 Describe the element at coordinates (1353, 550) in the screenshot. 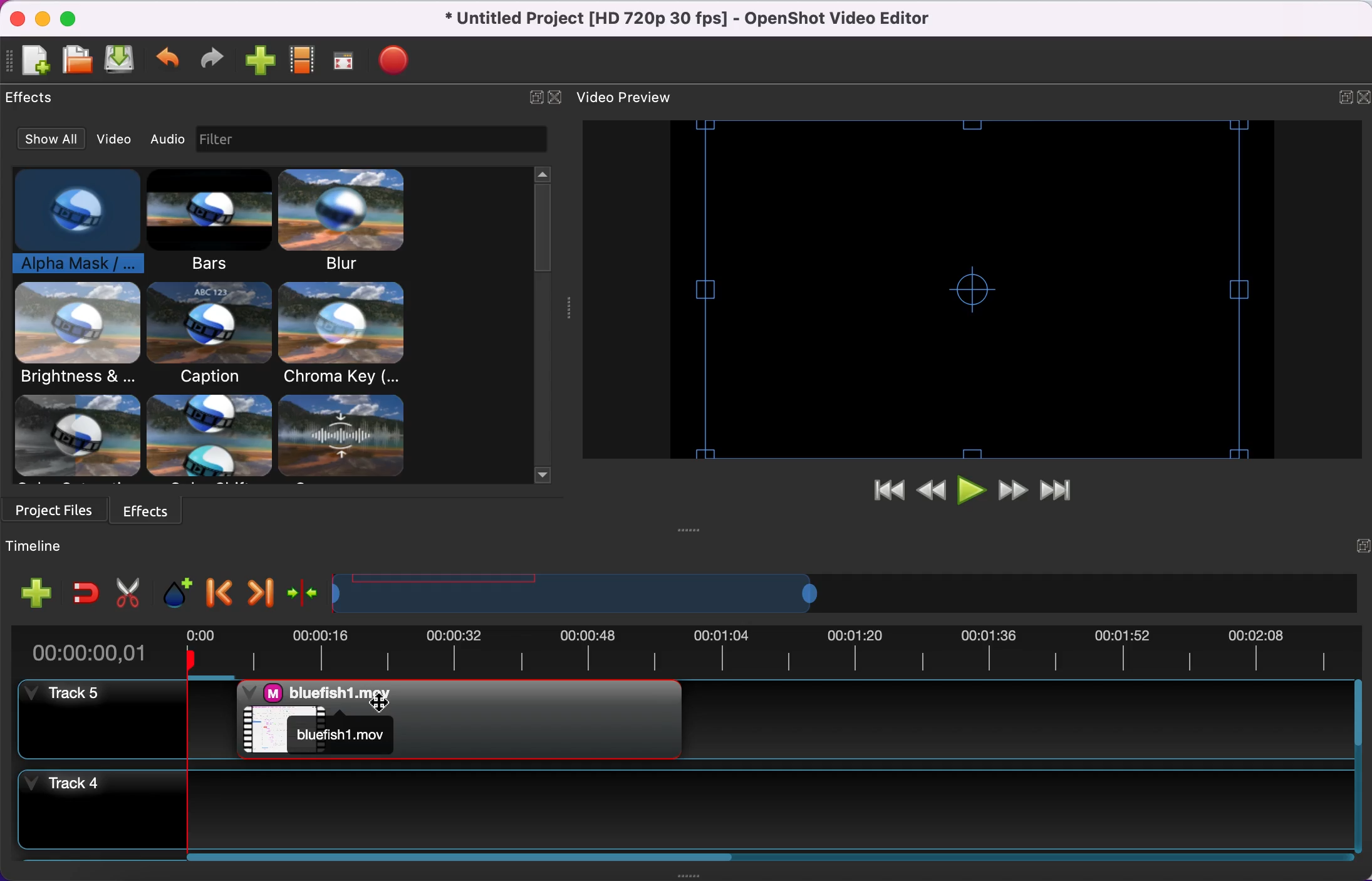

I see `expand/hide` at that location.